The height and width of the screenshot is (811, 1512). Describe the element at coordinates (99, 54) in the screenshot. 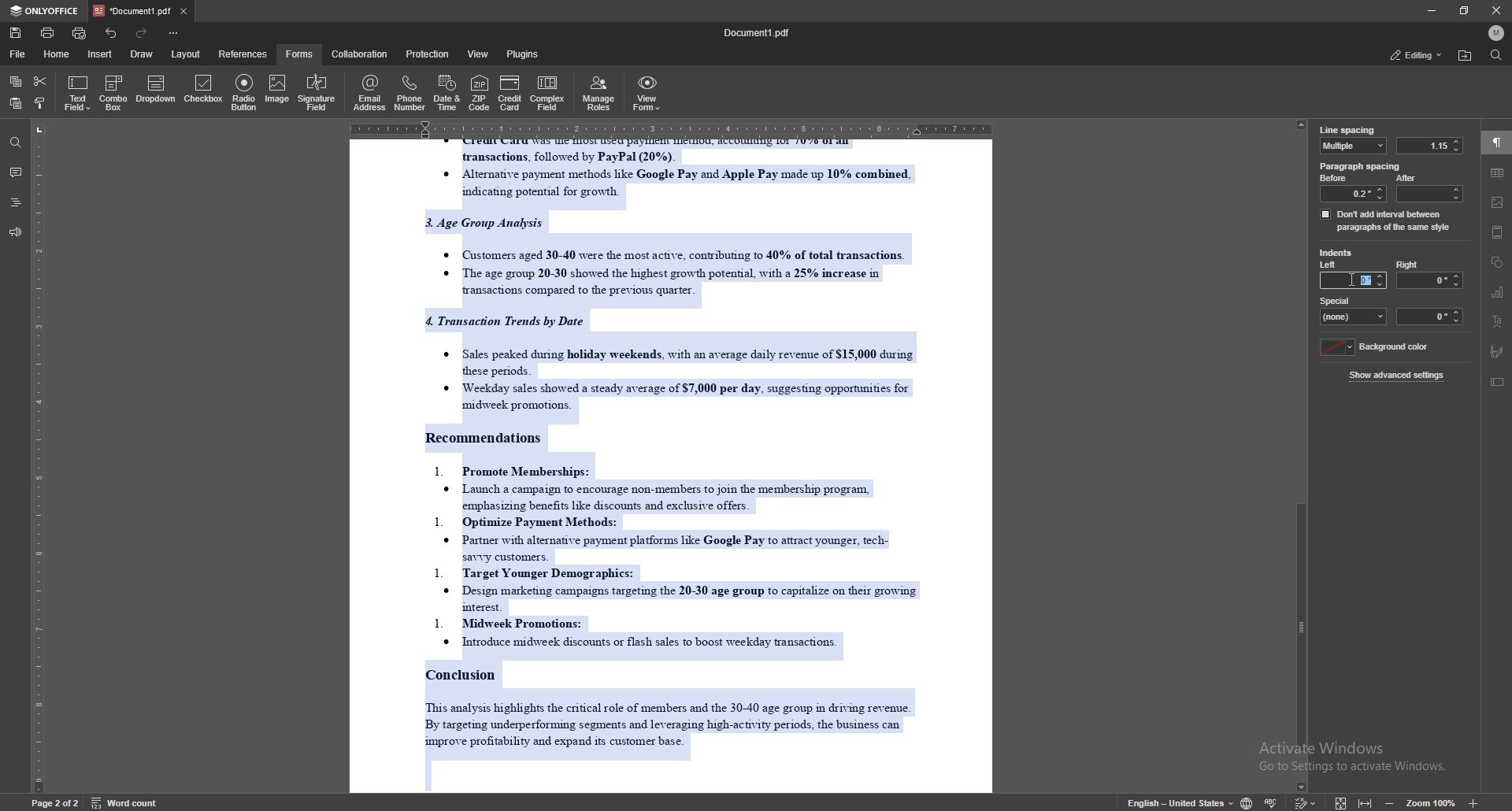

I see `insert` at that location.